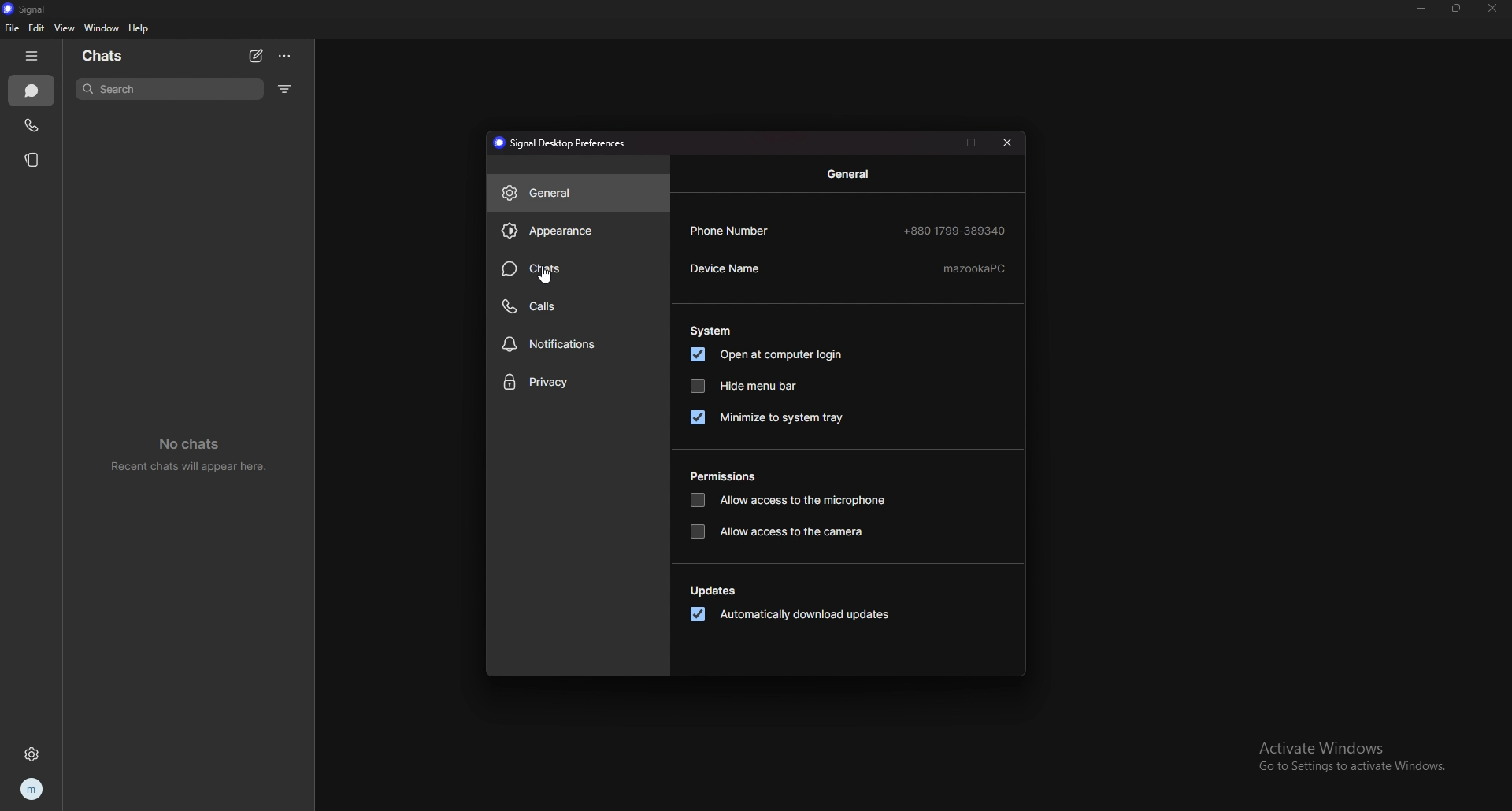 This screenshot has width=1512, height=811. What do you see at coordinates (31, 91) in the screenshot?
I see `chats` at bounding box center [31, 91].